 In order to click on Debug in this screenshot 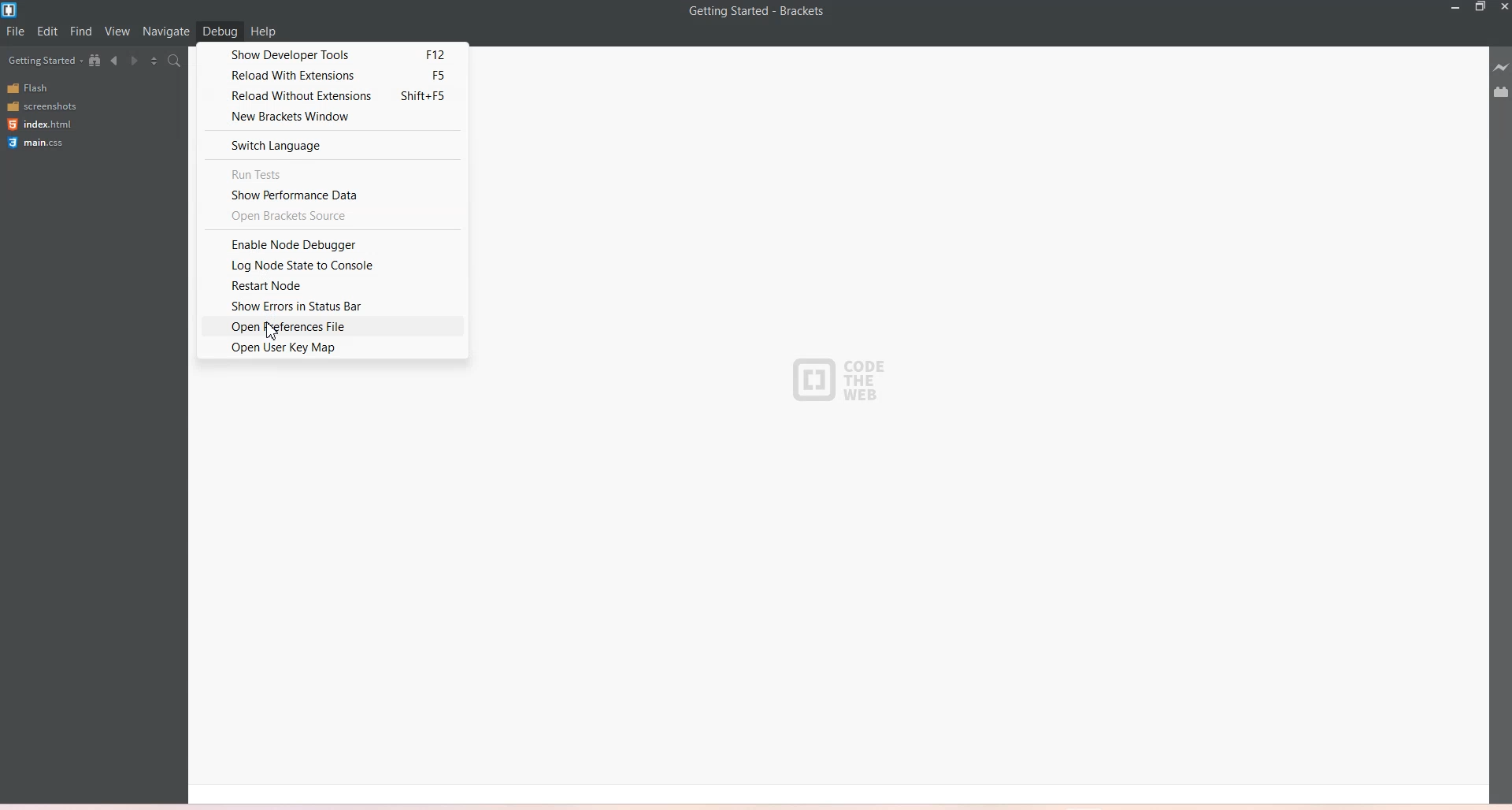, I will do `click(220, 32)`.